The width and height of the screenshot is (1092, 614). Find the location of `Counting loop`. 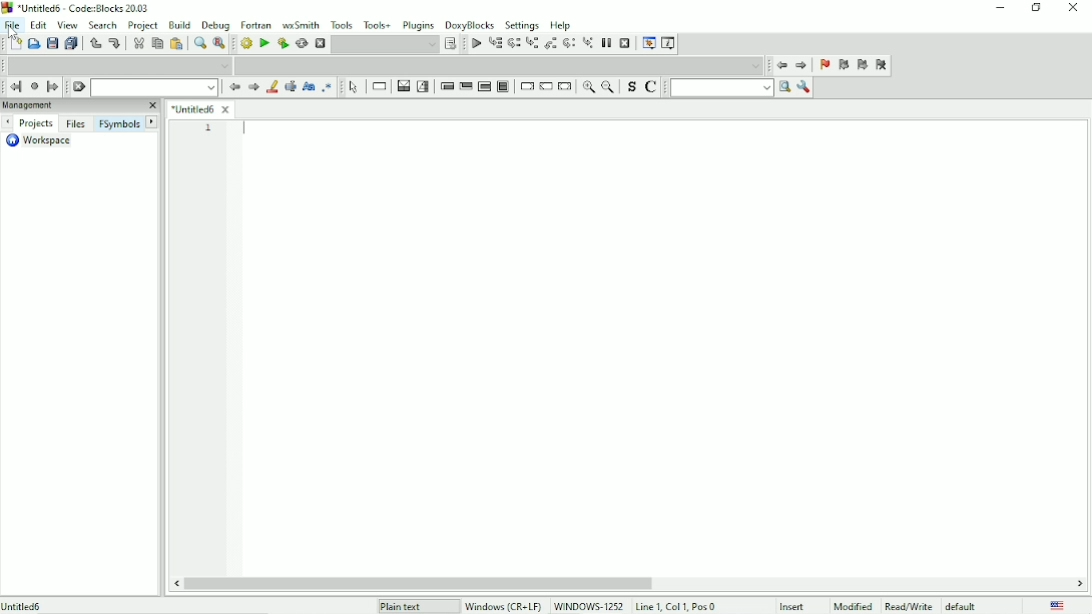

Counting loop is located at coordinates (484, 86).